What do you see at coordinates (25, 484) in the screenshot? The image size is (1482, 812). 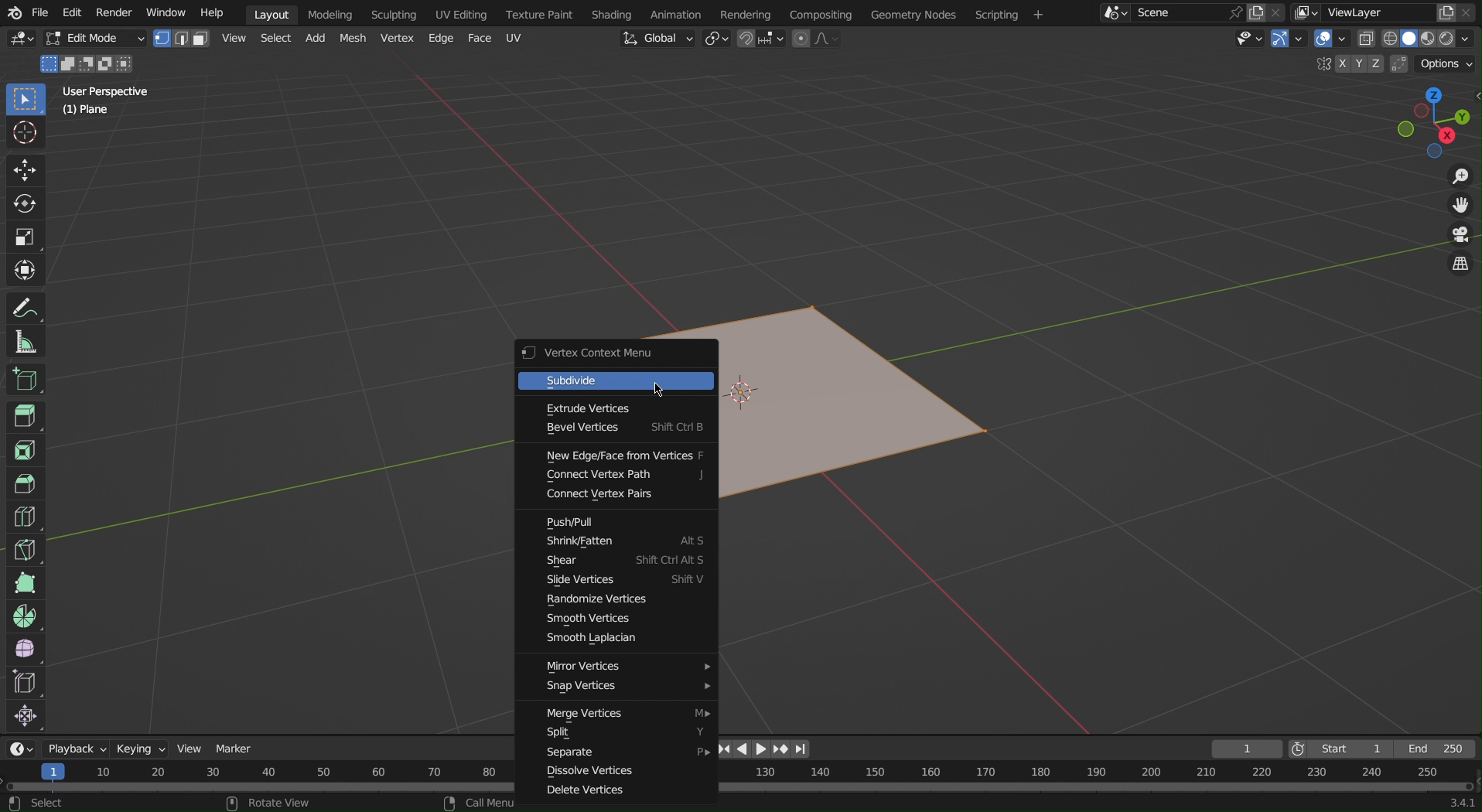 I see `Bevel ` at bounding box center [25, 484].